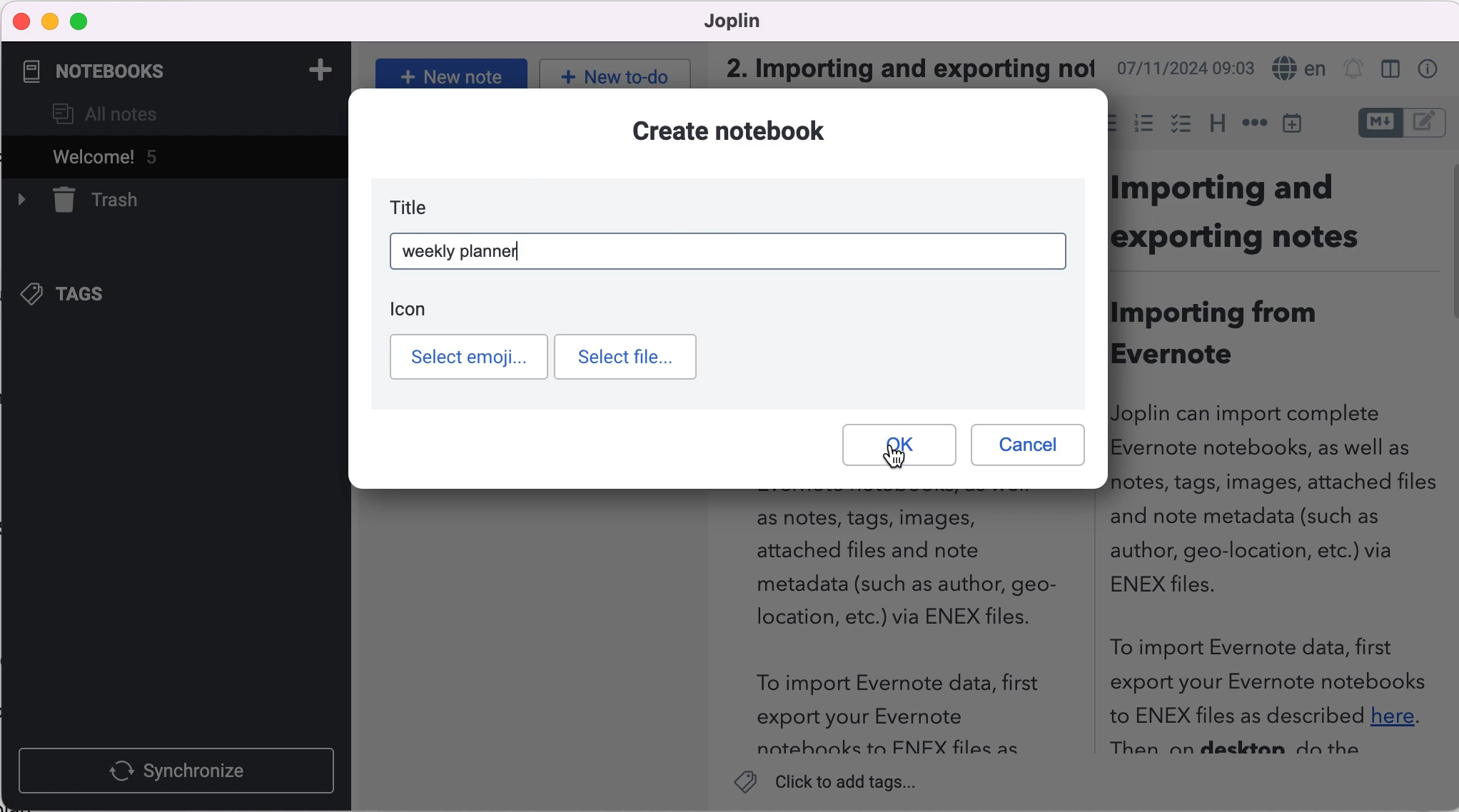  Describe the element at coordinates (469, 357) in the screenshot. I see `select emoji` at that location.